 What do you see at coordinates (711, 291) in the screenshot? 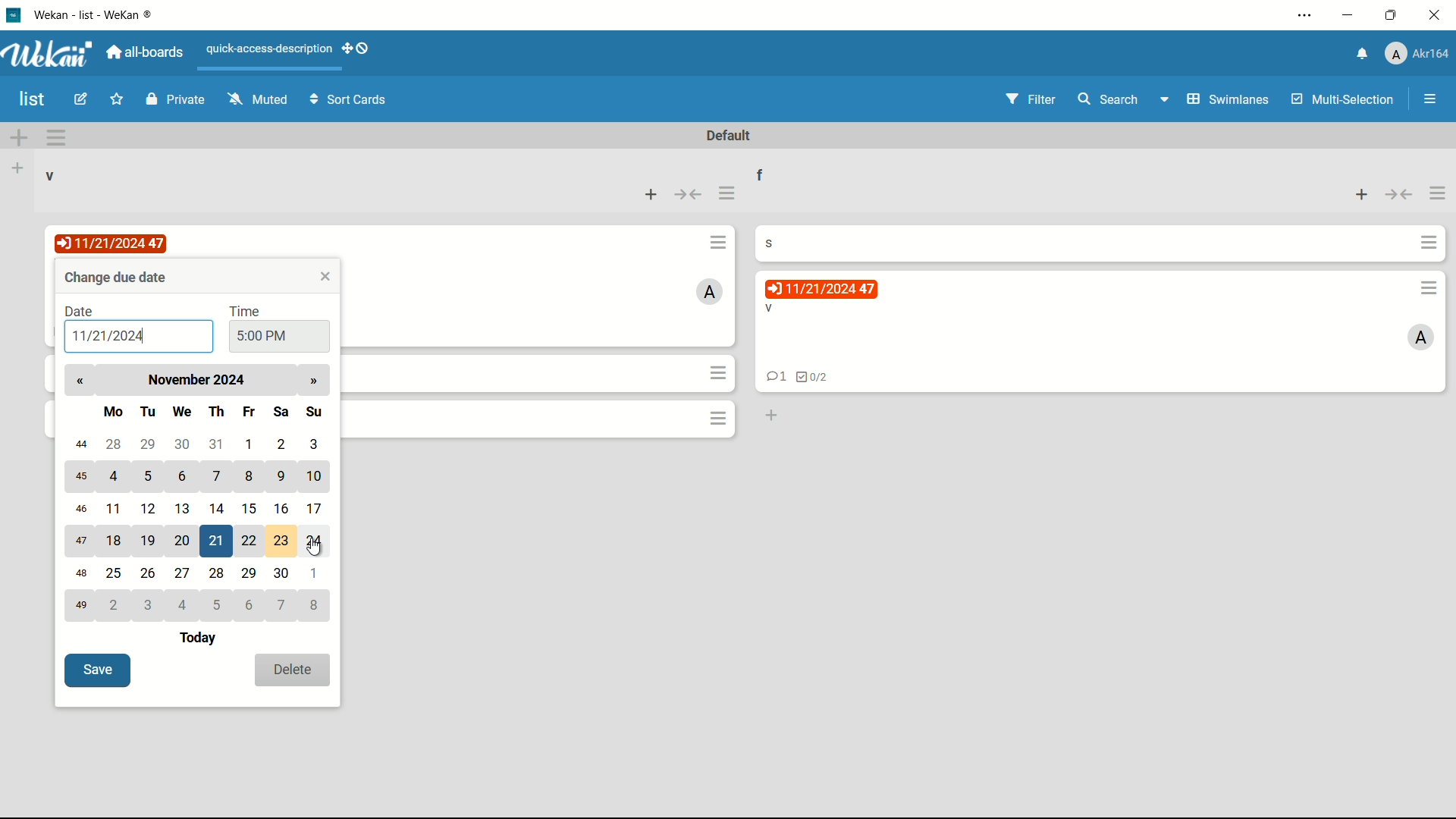
I see `admin` at bounding box center [711, 291].